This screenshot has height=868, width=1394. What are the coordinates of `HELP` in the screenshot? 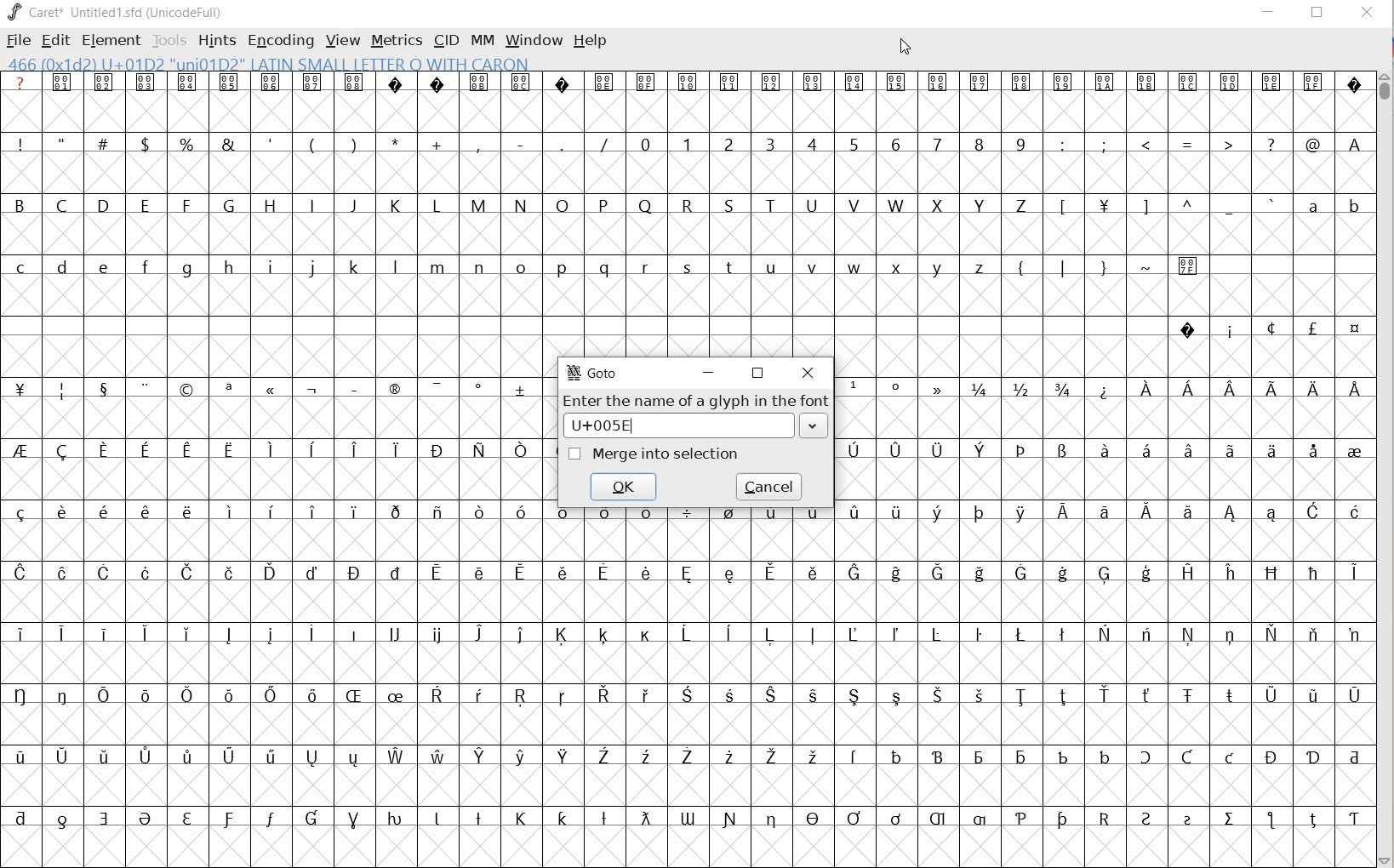 It's located at (591, 40).